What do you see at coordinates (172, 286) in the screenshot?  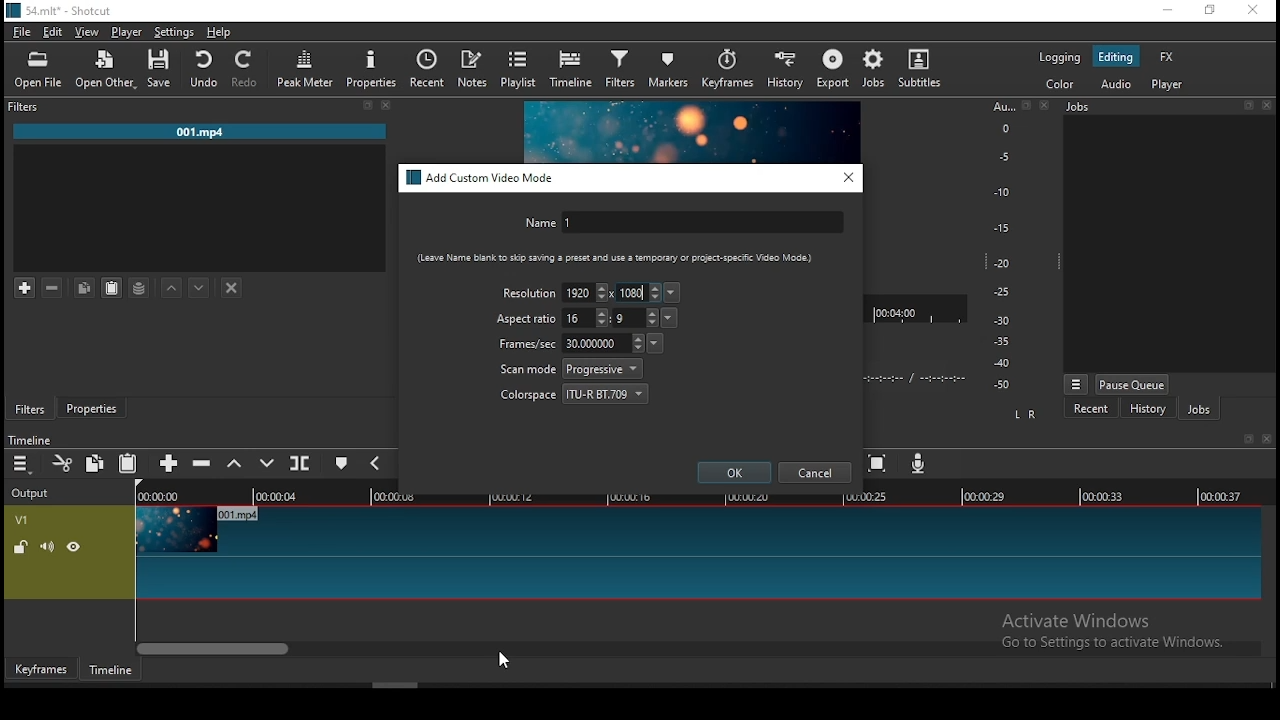 I see `move filter up` at bounding box center [172, 286].